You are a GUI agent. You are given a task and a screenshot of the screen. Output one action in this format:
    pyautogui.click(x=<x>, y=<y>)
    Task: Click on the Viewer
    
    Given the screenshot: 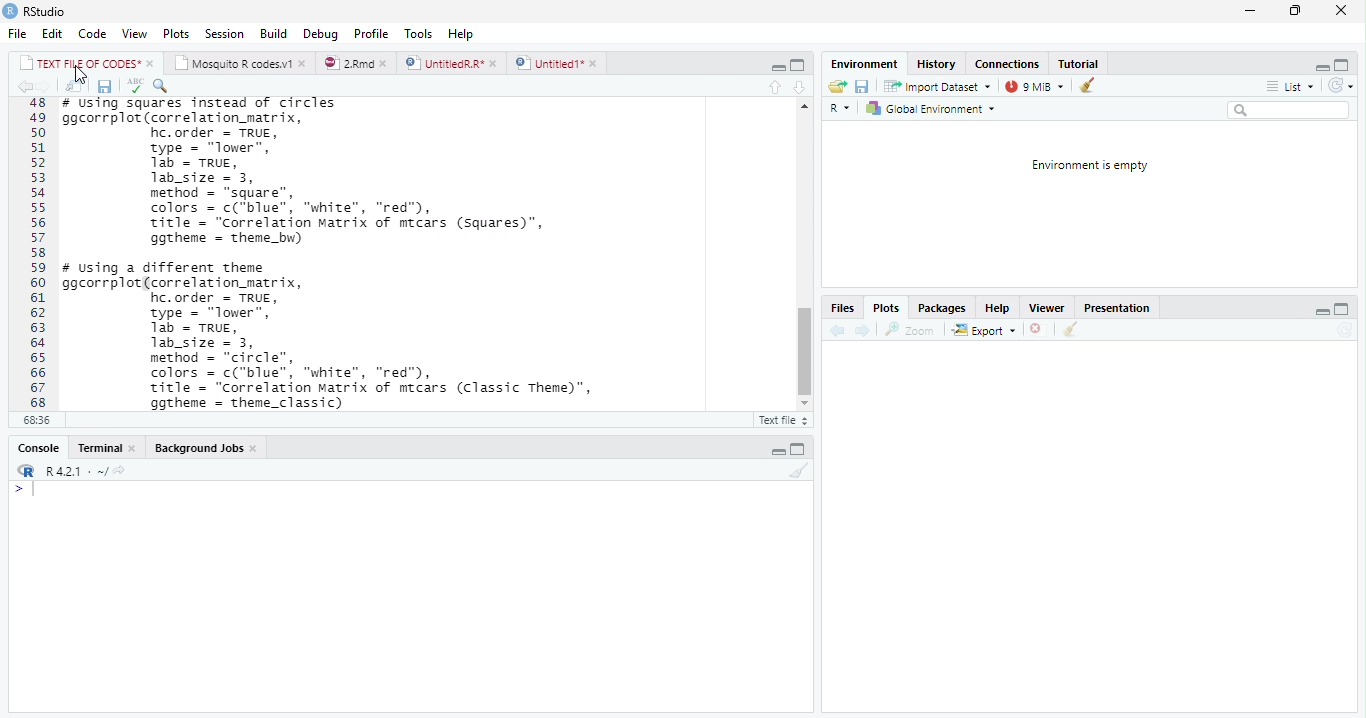 What is the action you would take?
    pyautogui.click(x=1048, y=308)
    